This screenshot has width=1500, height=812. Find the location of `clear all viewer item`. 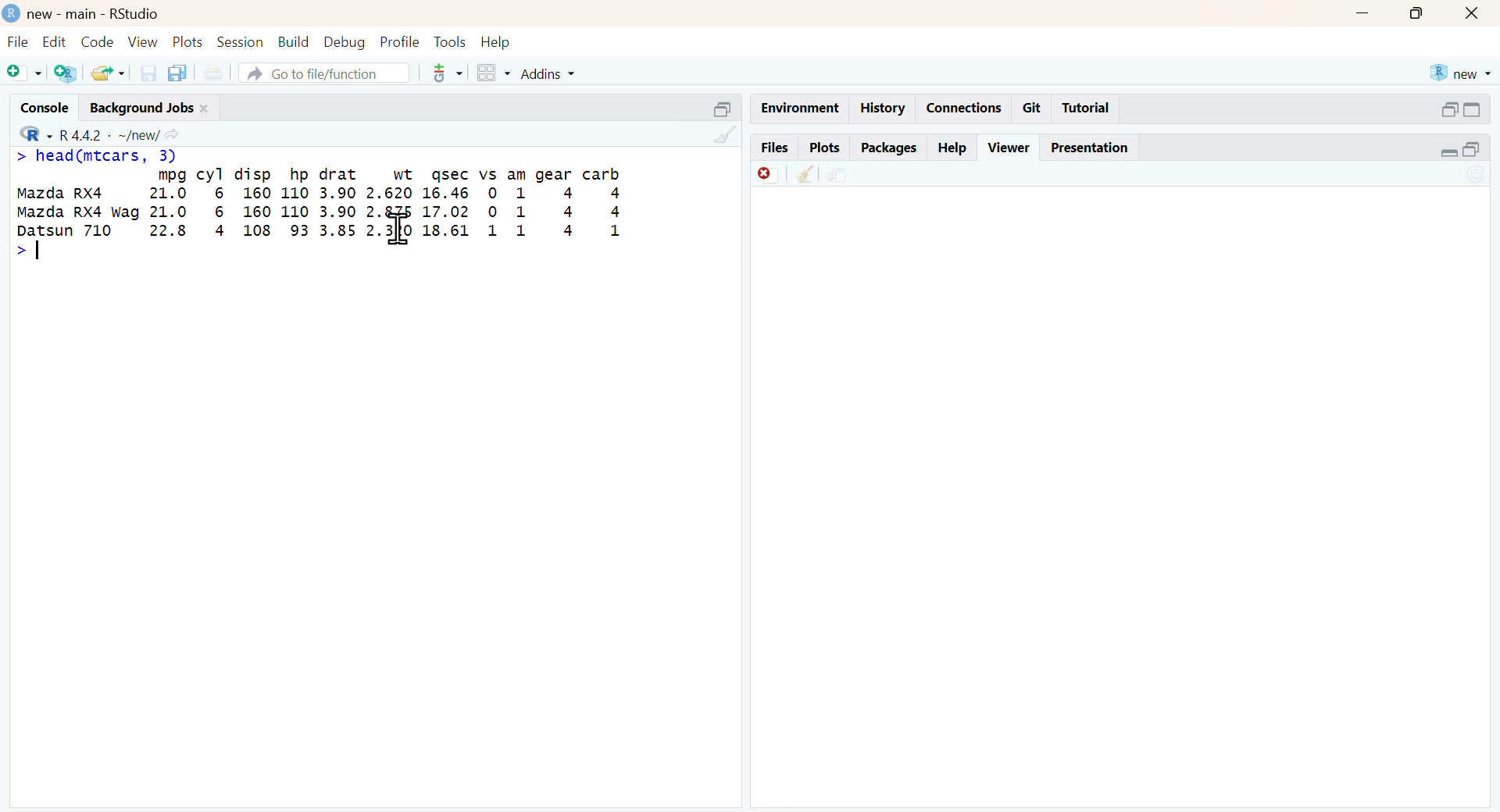

clear all viewer item is located at coordinates (799, 176).